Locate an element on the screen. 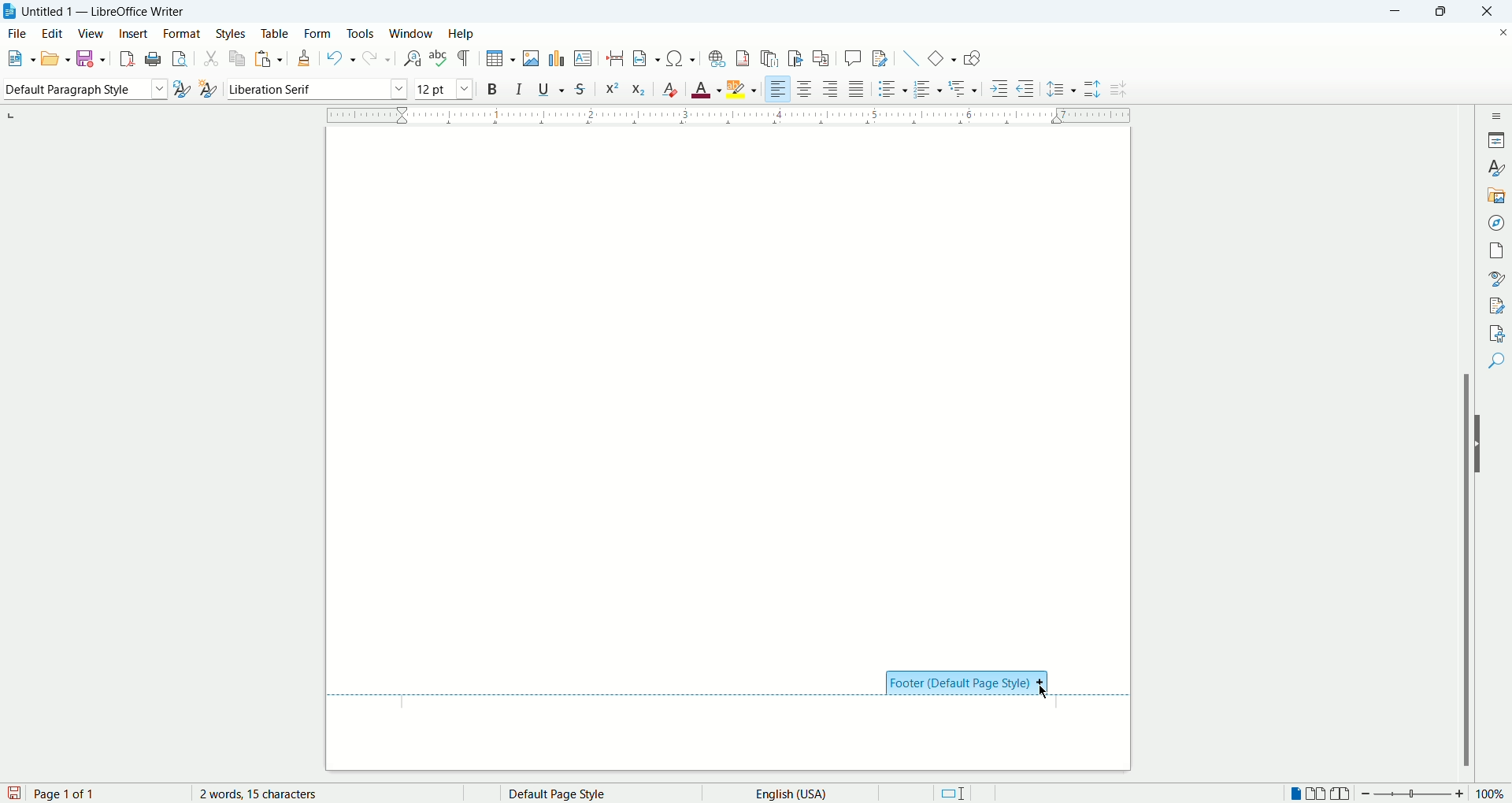 The height and width of the screenshot is (803, 1512). ruler is located at coordinates (728, 113).